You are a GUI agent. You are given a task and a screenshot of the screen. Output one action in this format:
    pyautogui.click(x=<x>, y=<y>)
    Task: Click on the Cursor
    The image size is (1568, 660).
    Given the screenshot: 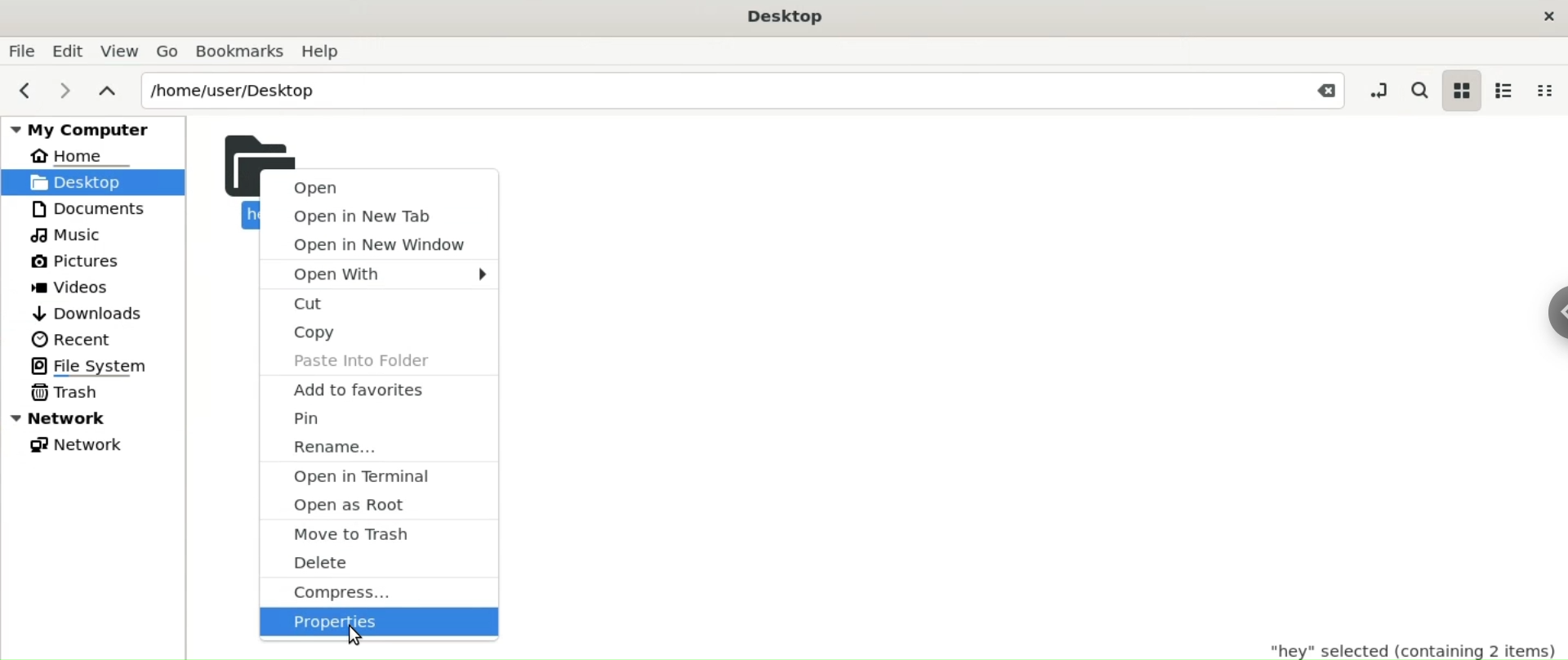 What is the action you would take?
    pyautogui.click(x=350, y=639)
    